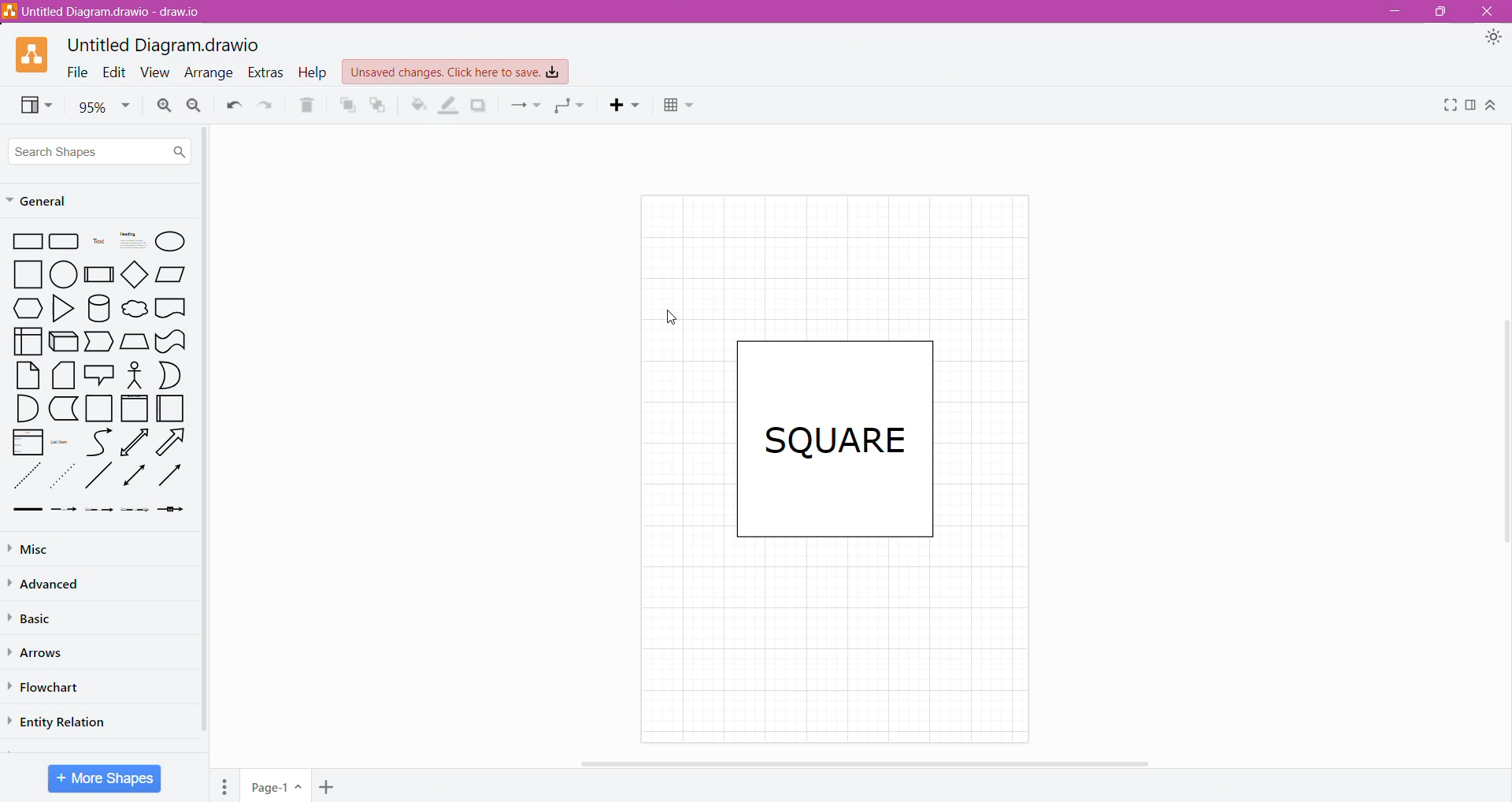 The height and width of the screenshot is (802, 1512). What do you see at coordinates (25, 274) in the screenshot?
I see `square` at bounding box center [25, 274].